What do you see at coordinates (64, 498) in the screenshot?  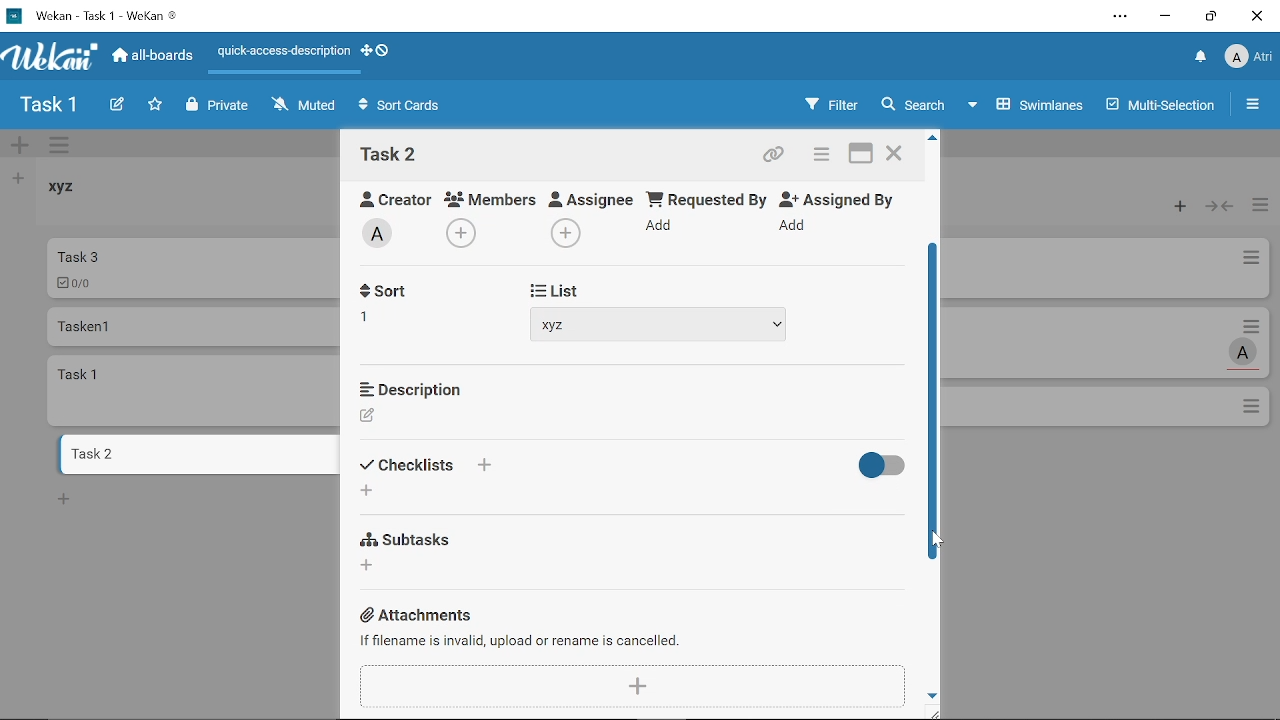 I see `New` at bounding box center [64, 498].